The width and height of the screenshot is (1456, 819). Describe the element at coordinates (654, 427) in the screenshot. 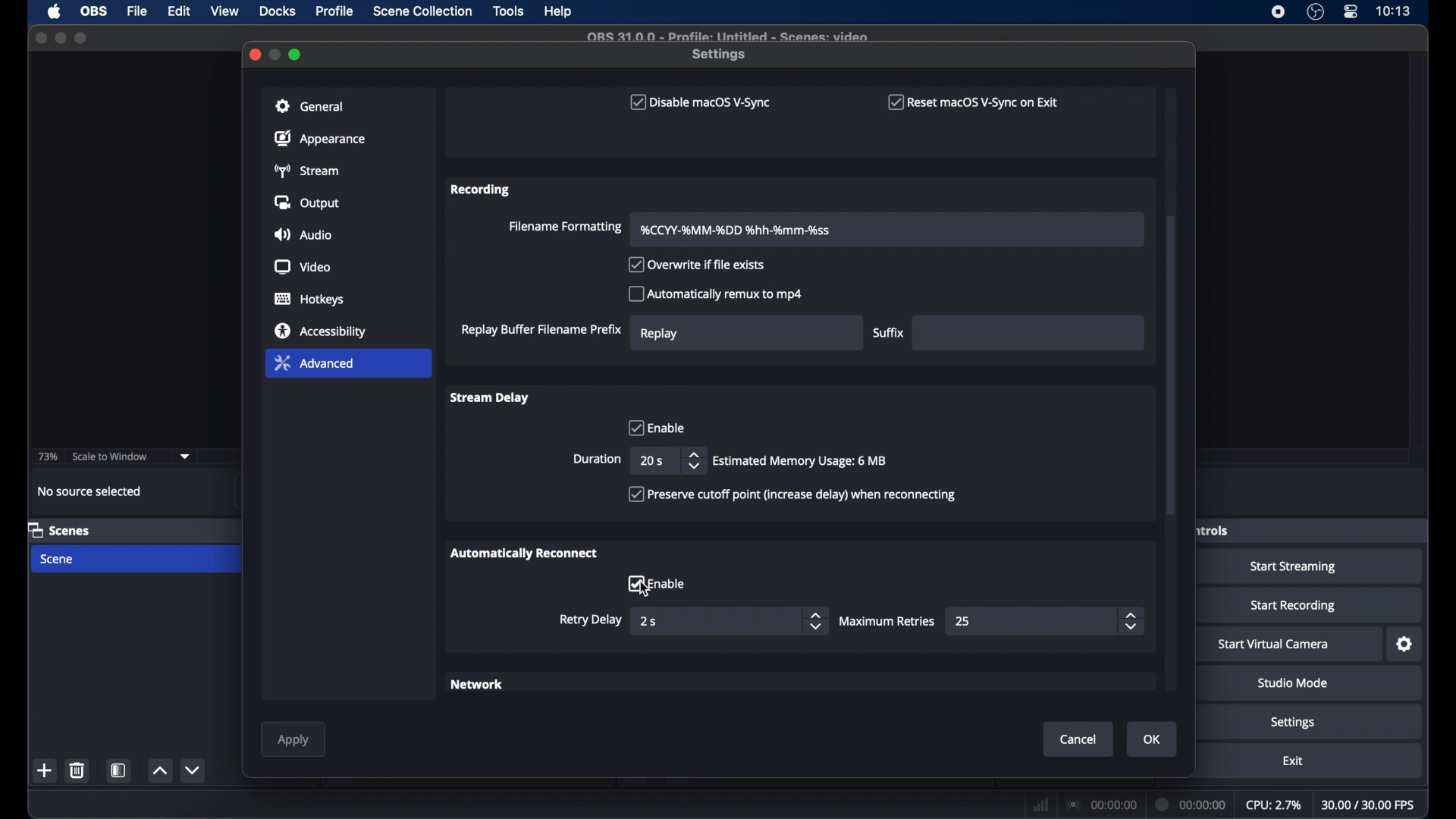

I see `enable` at that location.